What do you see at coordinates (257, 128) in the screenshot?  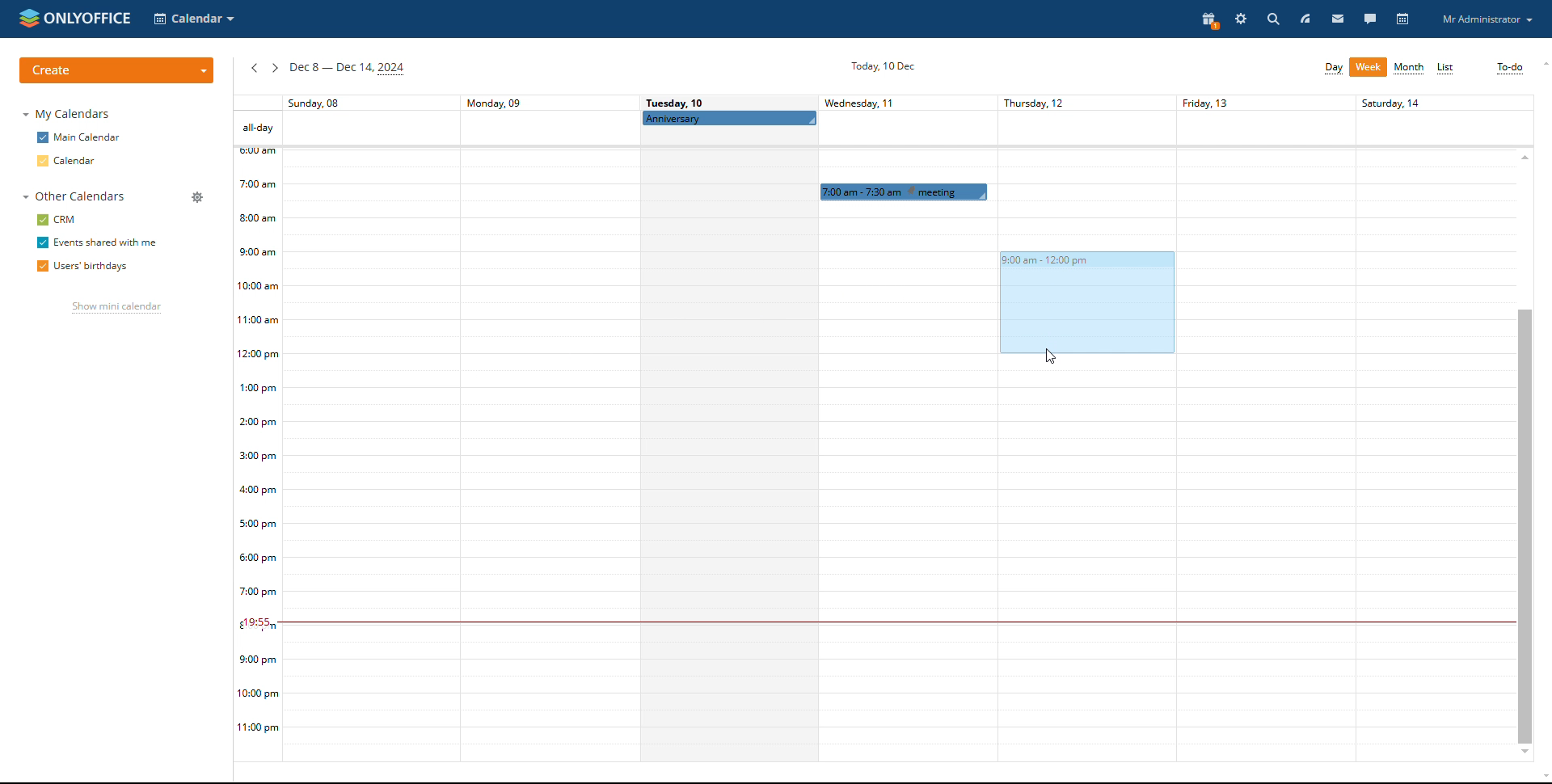 I see `all-day events` at bounding box center [257, 128].